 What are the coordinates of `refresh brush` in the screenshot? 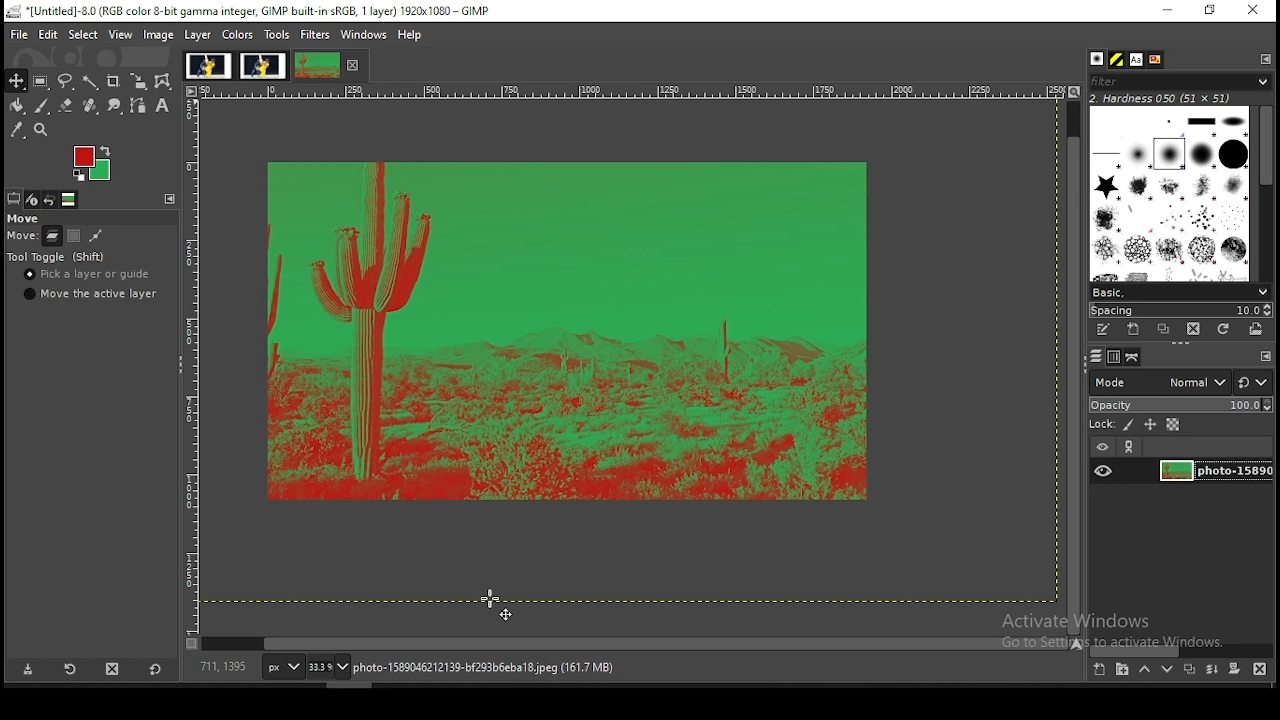 It's located at (1223, 329).